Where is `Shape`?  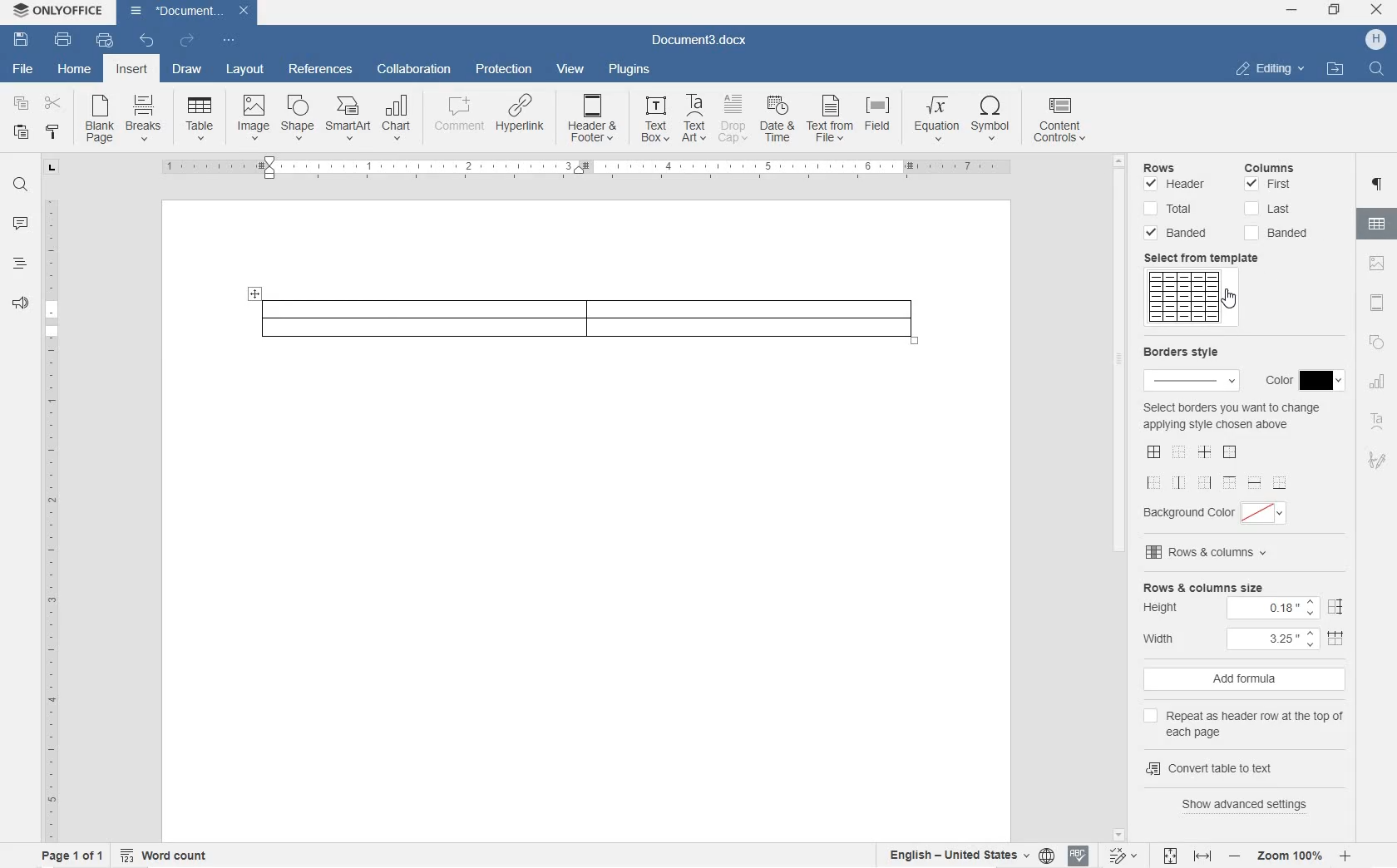
Shape is located at coordinates (297, 117).